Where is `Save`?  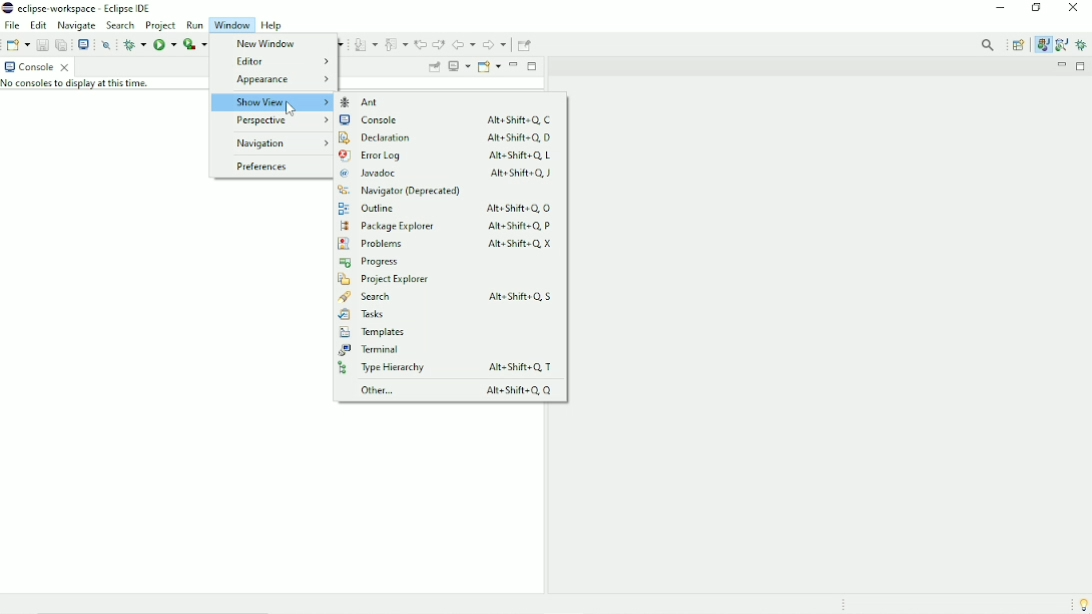
Save is located at coordinates (41, 44).